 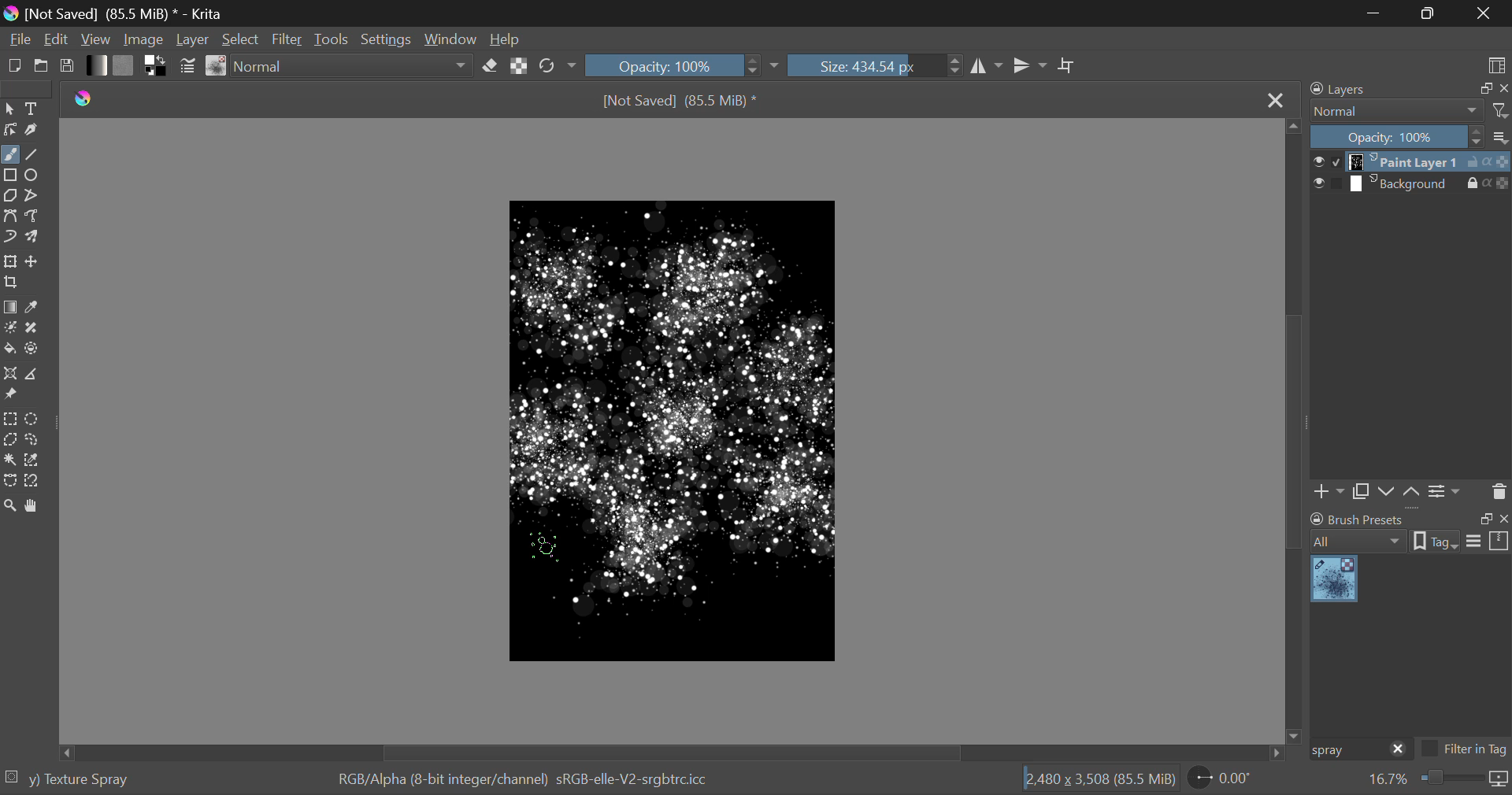 I want to click on Continuous Fill, so click(x=9, y=458).